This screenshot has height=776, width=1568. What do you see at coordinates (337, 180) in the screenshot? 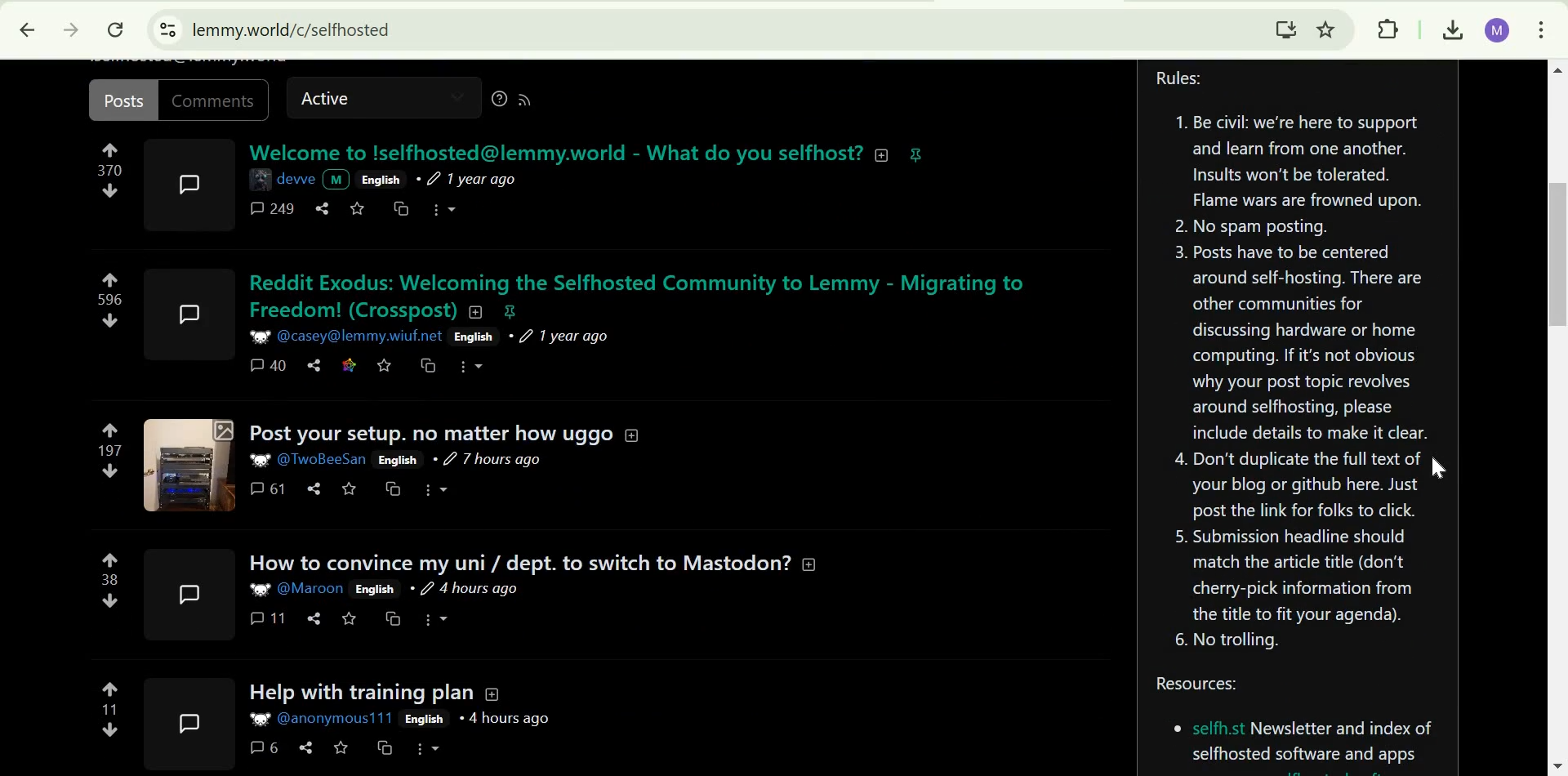
I see `picture` at bounding box center [337, 180].